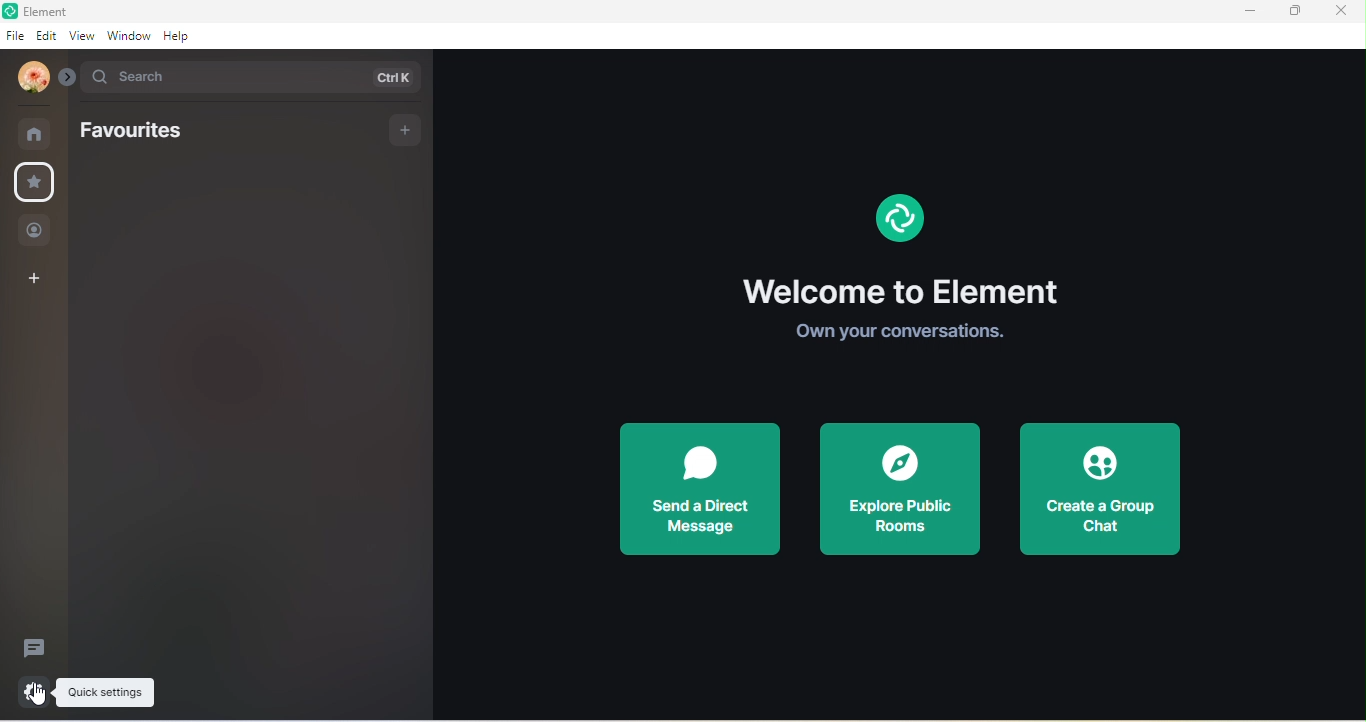 This screenshot has width=1366, height=722. What do you see at coordinates (903, 332) in the screenshot?
I see `own your conversations` at bounding box center [903, 332].